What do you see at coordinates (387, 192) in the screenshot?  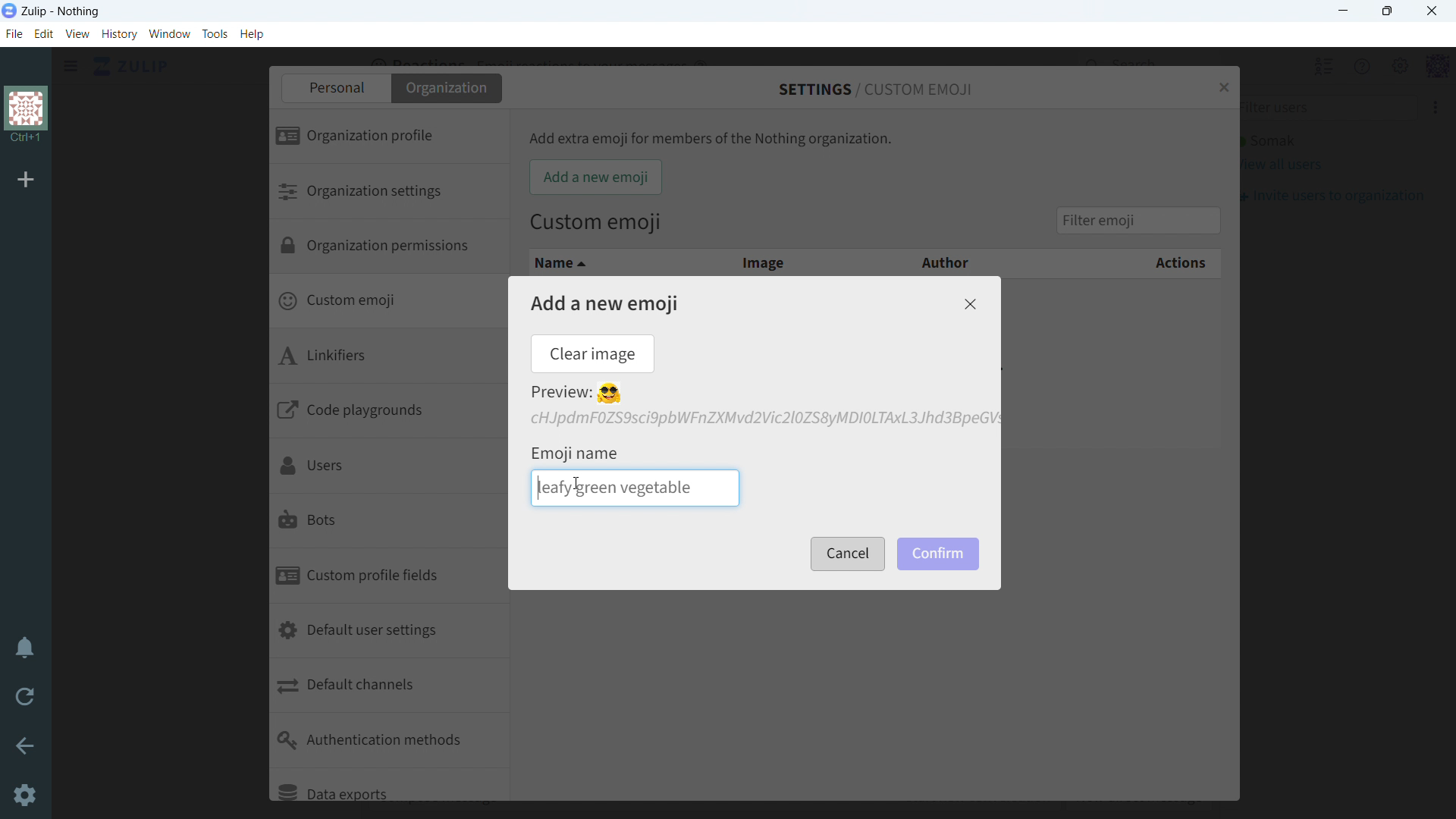 I see `organization settings` at bounding box center [387, 192].